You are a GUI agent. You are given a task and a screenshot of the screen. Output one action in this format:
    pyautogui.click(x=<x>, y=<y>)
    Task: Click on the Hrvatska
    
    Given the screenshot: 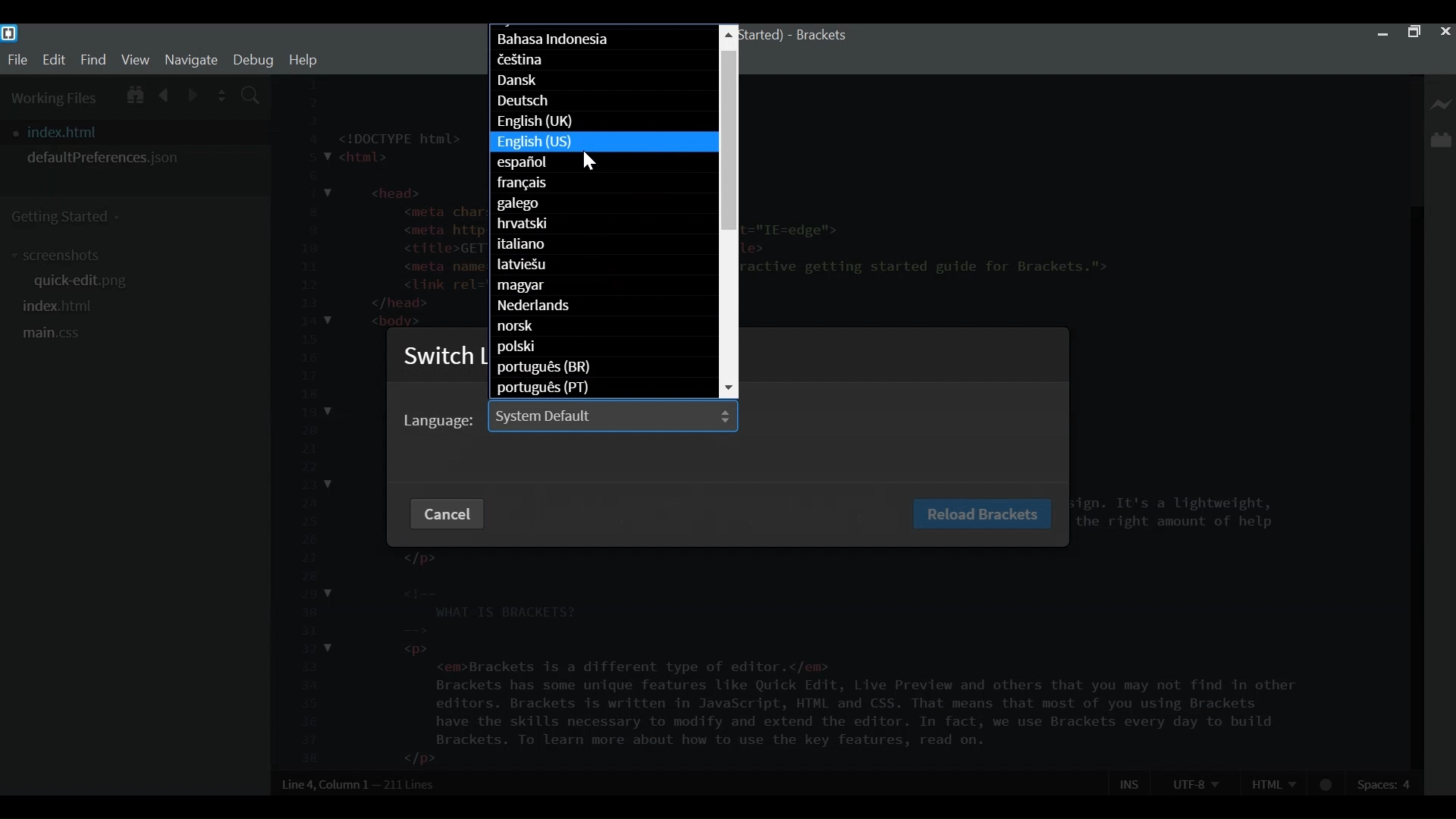 What is the action you would take?
    pyautogui.click(x=604, y=224)
    